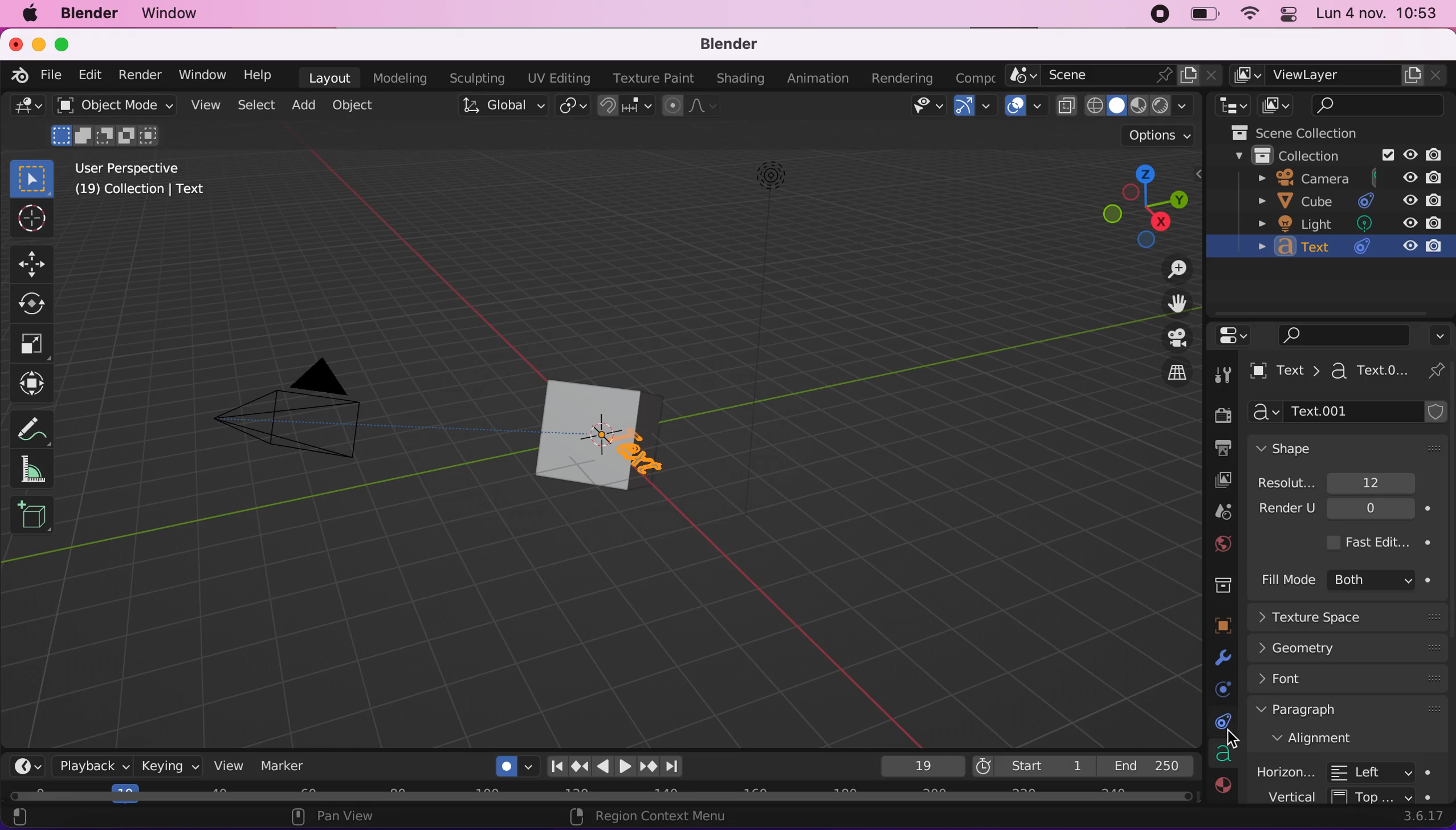  What do you see at coordinates (1147, 765) in the screenshot?
I see `end 250` at bounding box center [1147, 765].